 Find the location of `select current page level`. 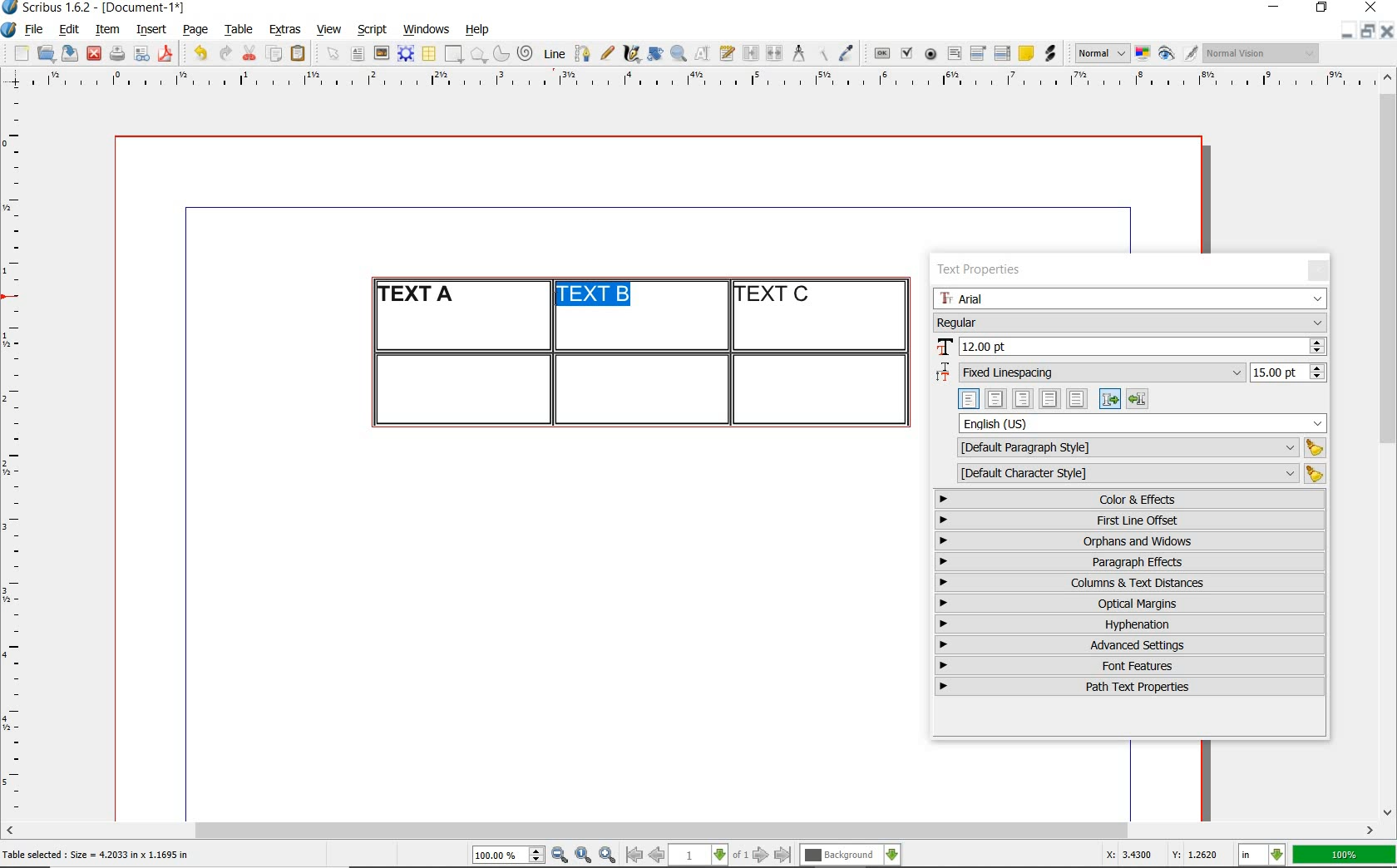

select current page level is located at coordinates (708, 855).